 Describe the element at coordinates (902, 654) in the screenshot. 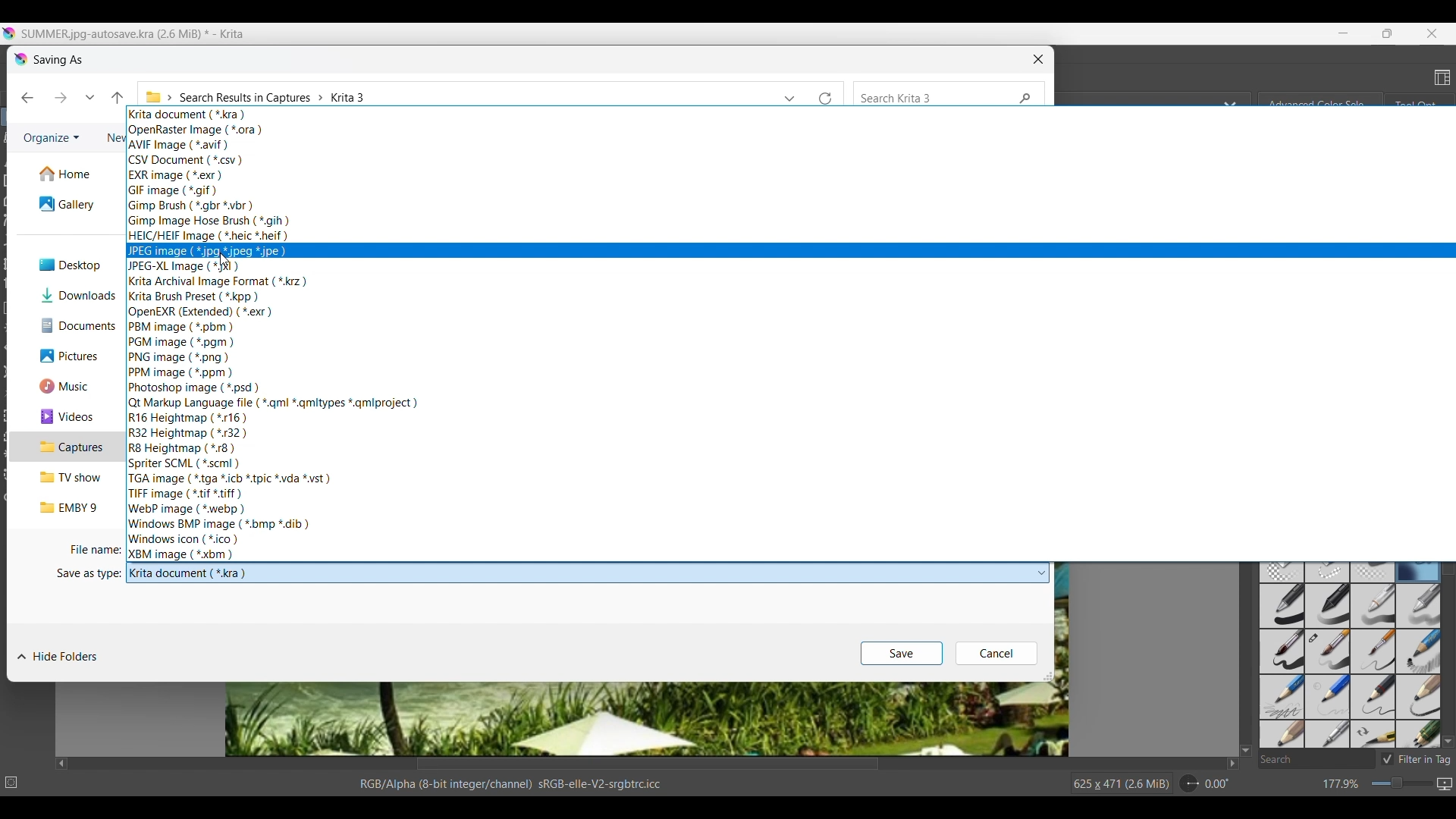

I see `Save inputs made` at that location.